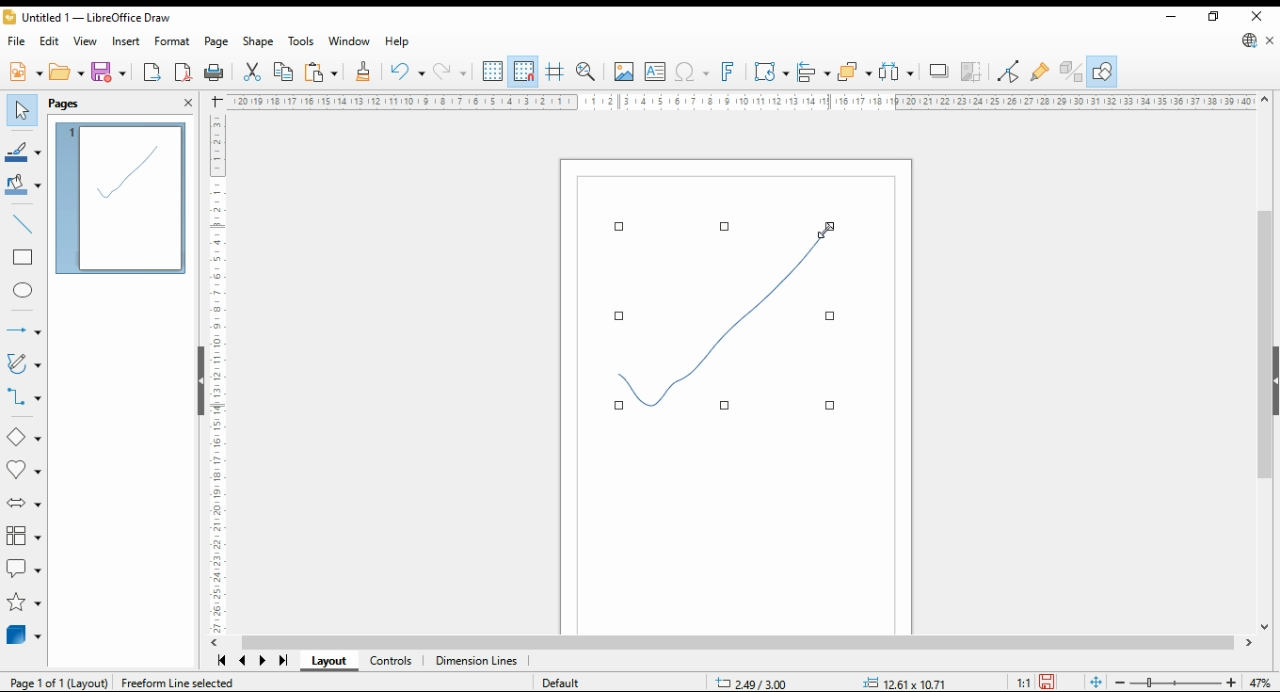  Describe the element at coordinates (556, 72) in the screenshot. I see `helplines when moving` at that location.